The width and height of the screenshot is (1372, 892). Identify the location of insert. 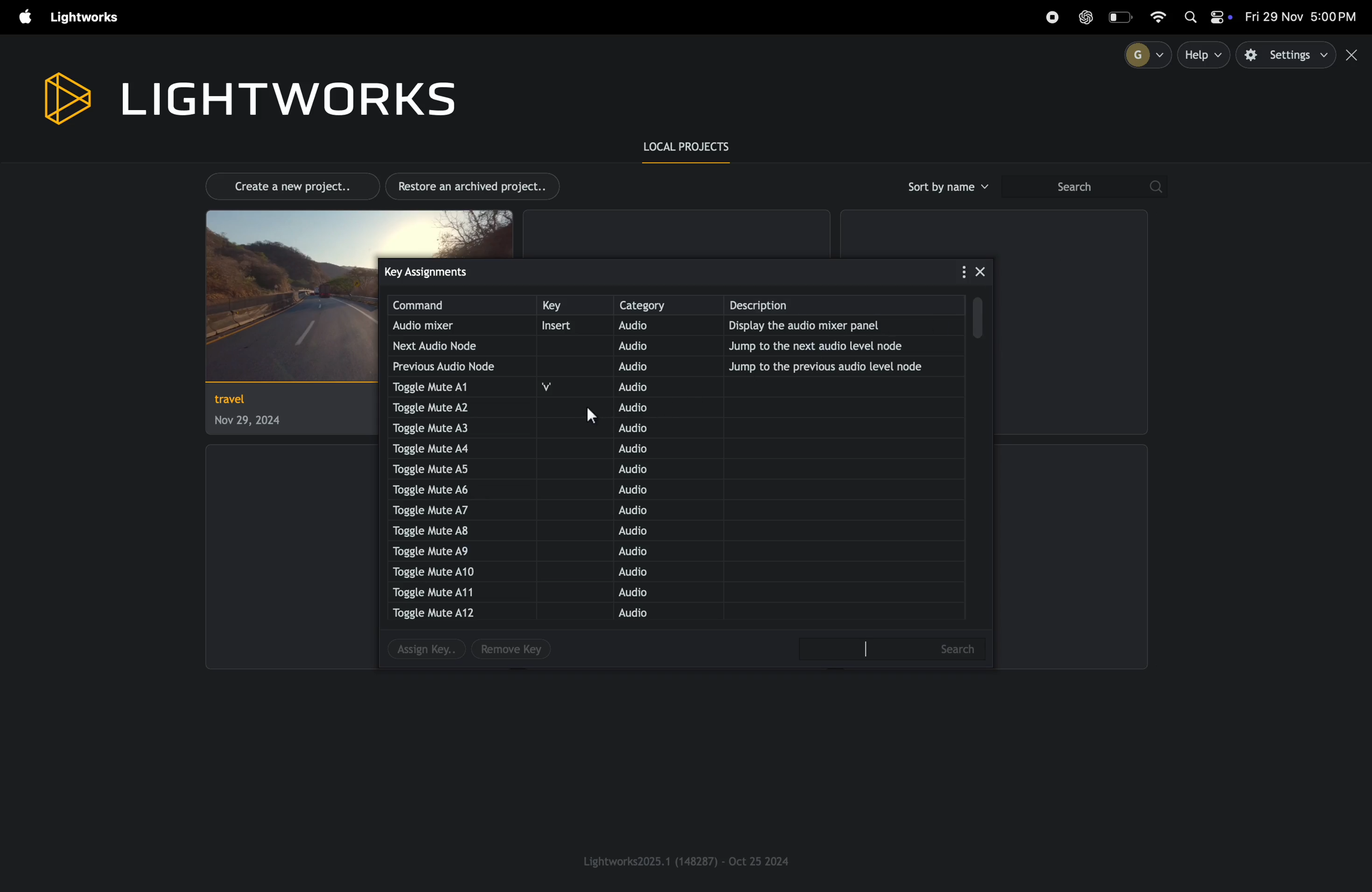
(568, 326).